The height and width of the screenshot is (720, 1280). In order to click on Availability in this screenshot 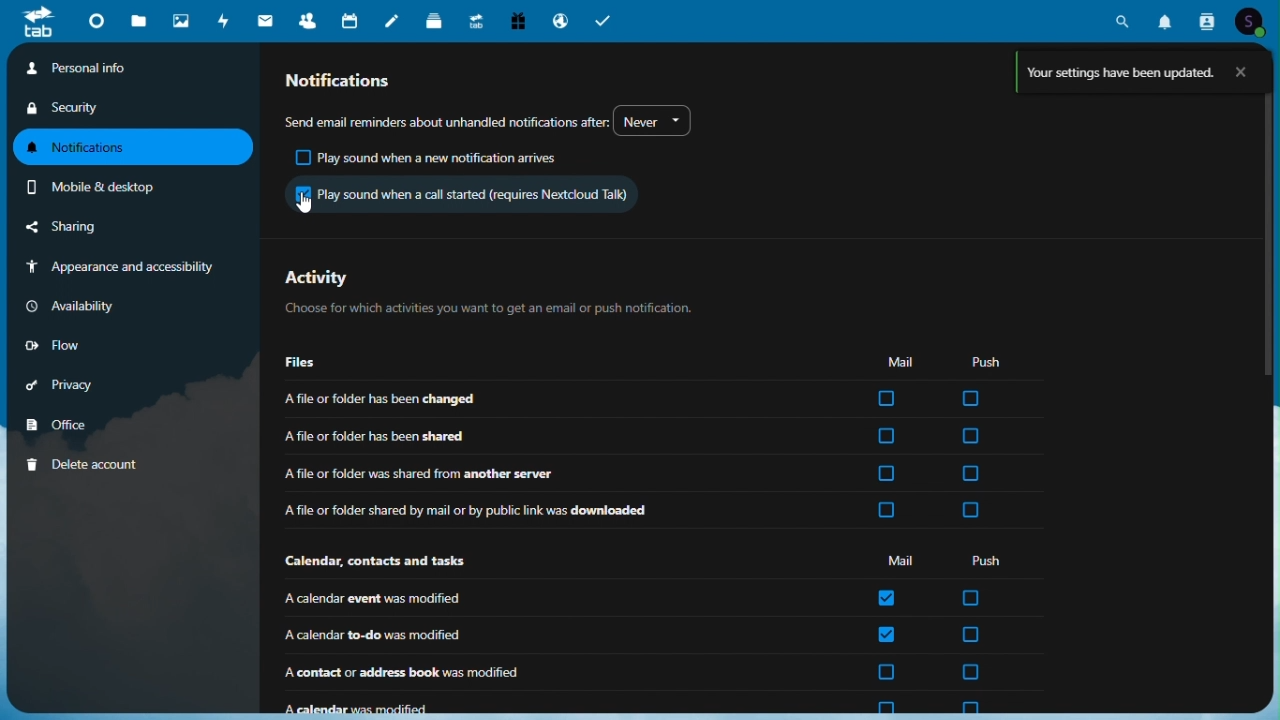, I will do `click(73, 304)`.